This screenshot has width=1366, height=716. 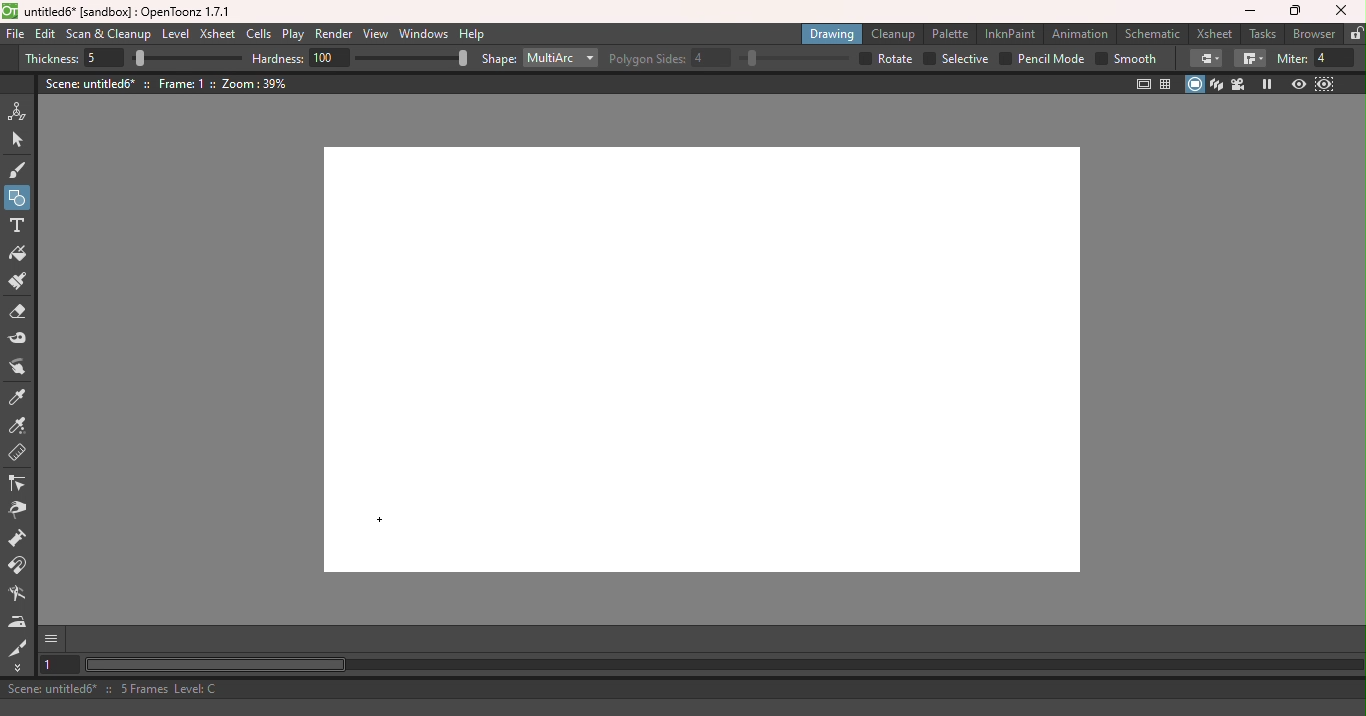 What do you see at coordinates (1248, 12) in the screenshot?
I see `Minimize` at bounding box center [1248, 12].